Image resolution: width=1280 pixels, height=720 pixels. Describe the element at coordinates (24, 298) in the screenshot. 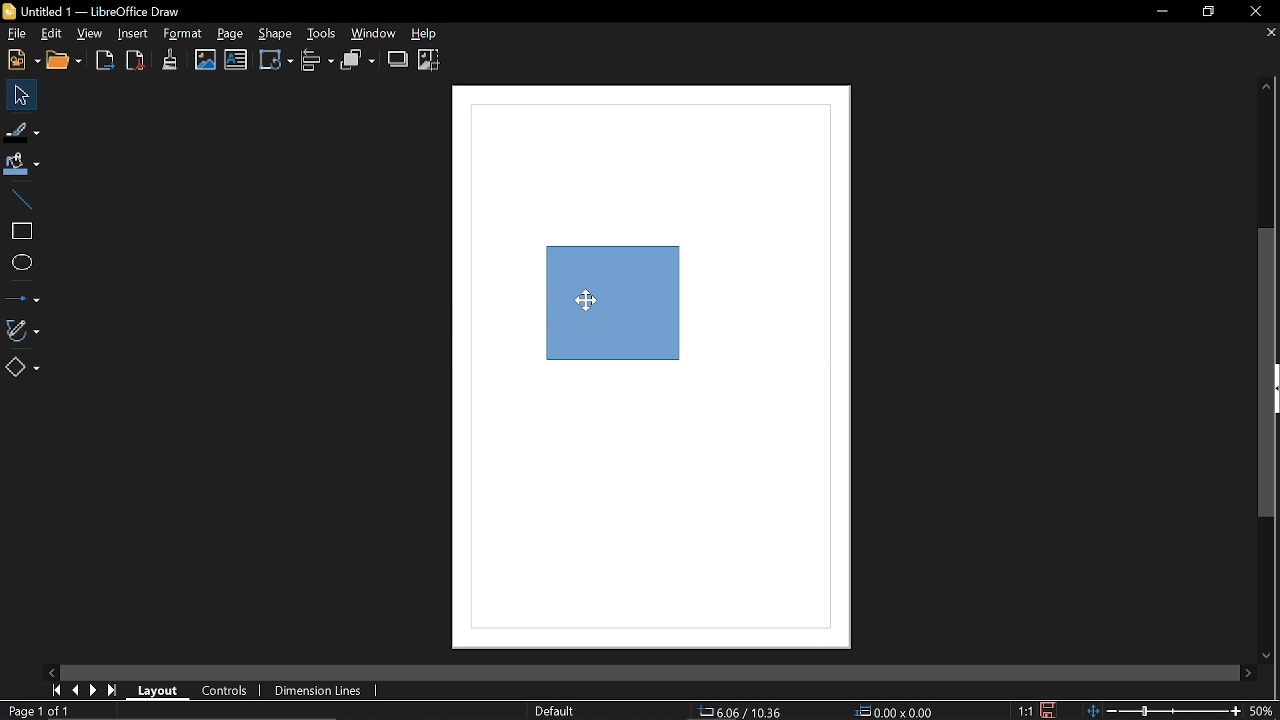

I see `Lines and arrows` at that location.